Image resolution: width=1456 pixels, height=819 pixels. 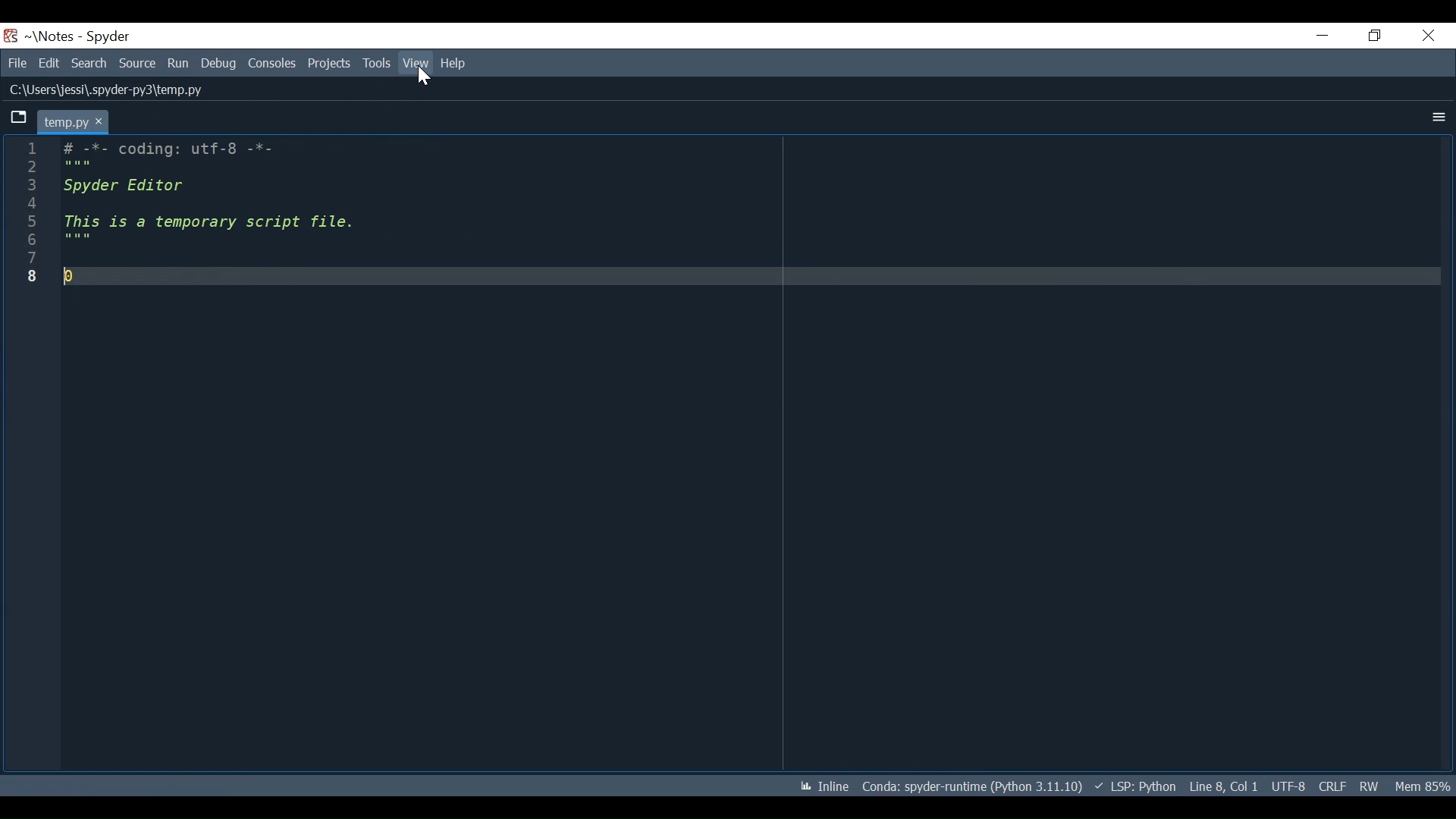 What do you see at coordinates (289, 219) in the screenshot?
I see `# -*- coding: utf-8 -*-

Spyder Editor

This is a temporary script file.
p` at bounding box center [289, 219].